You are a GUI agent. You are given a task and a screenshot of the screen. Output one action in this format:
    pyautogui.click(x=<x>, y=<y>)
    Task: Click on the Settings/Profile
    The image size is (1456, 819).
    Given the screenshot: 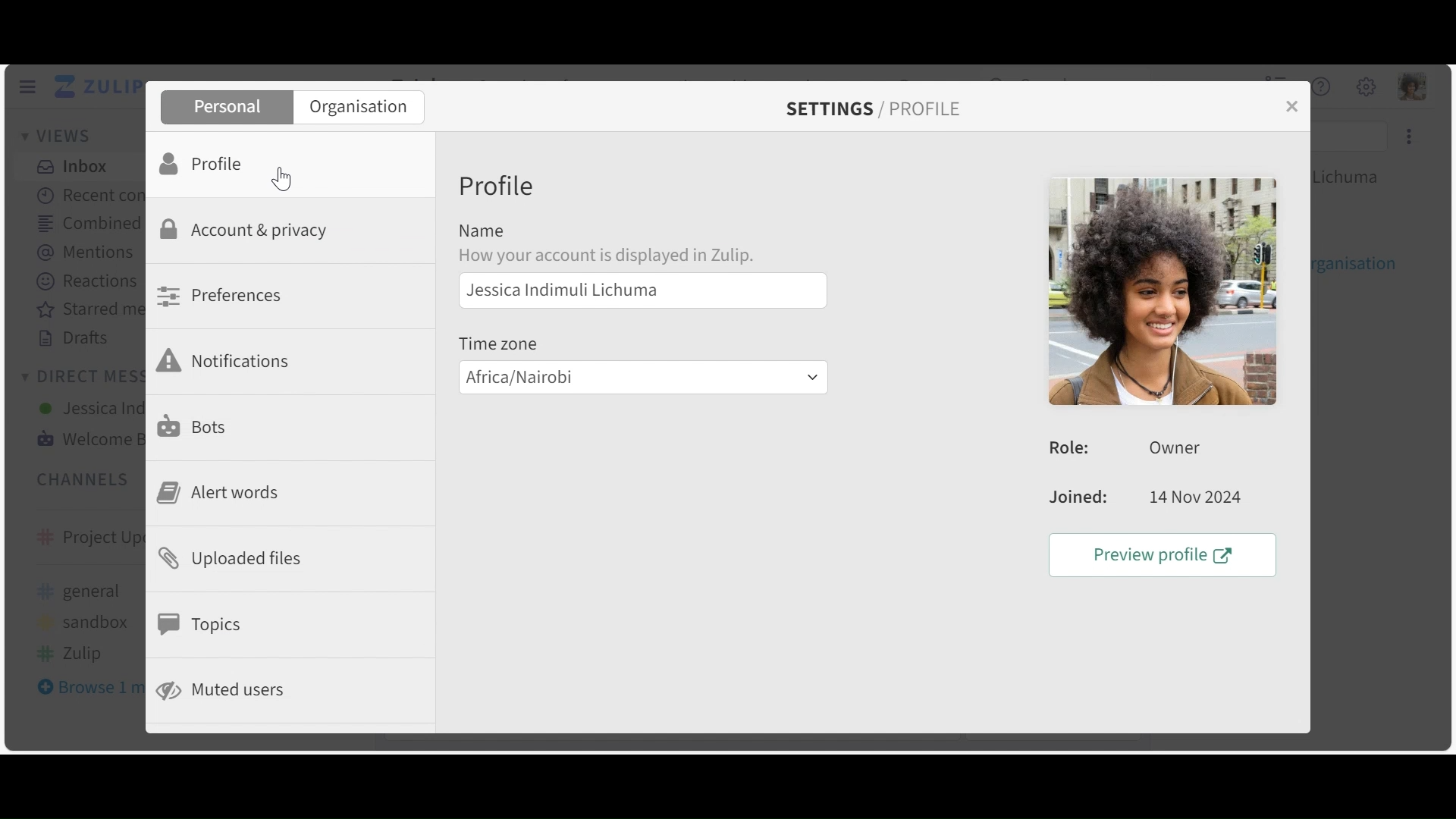 What is the action you would take?
    pyautogui.click(x=879, y=106)
    